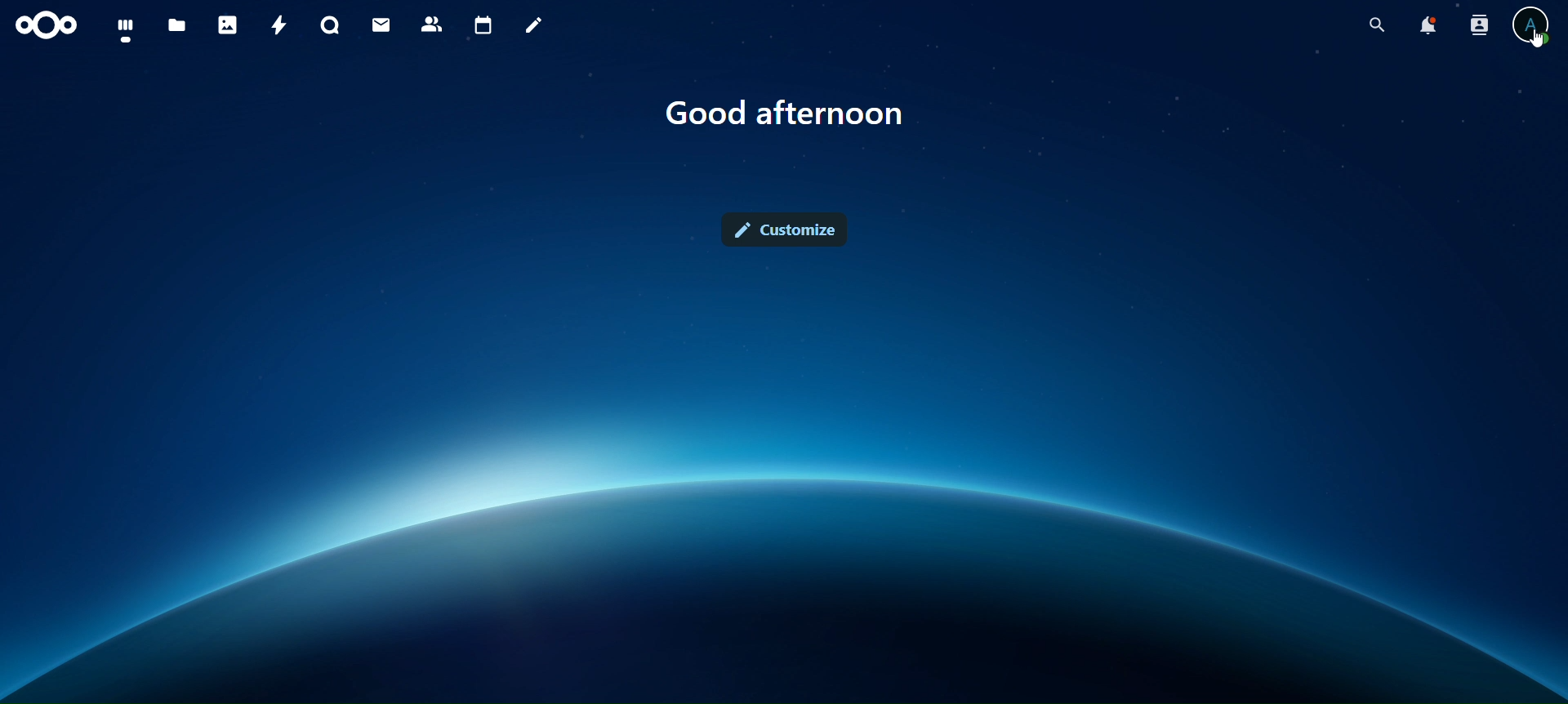 The width and height of the screenshot is (1568, 704). Describe the element at coordinates (1533, 25) in the screenshot. I see `view profile` at that location.